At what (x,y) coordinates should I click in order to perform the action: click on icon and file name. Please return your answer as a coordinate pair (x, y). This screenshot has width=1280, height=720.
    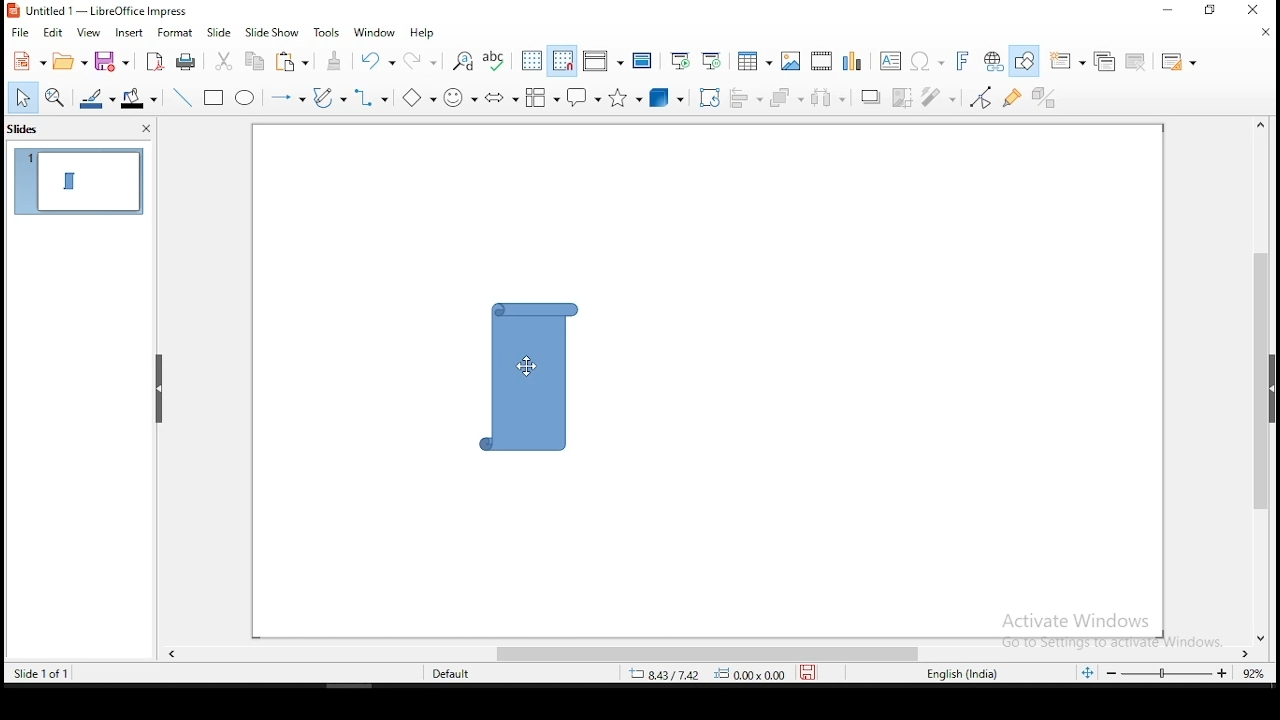
    Looking at the image, I should click on (111, 11).